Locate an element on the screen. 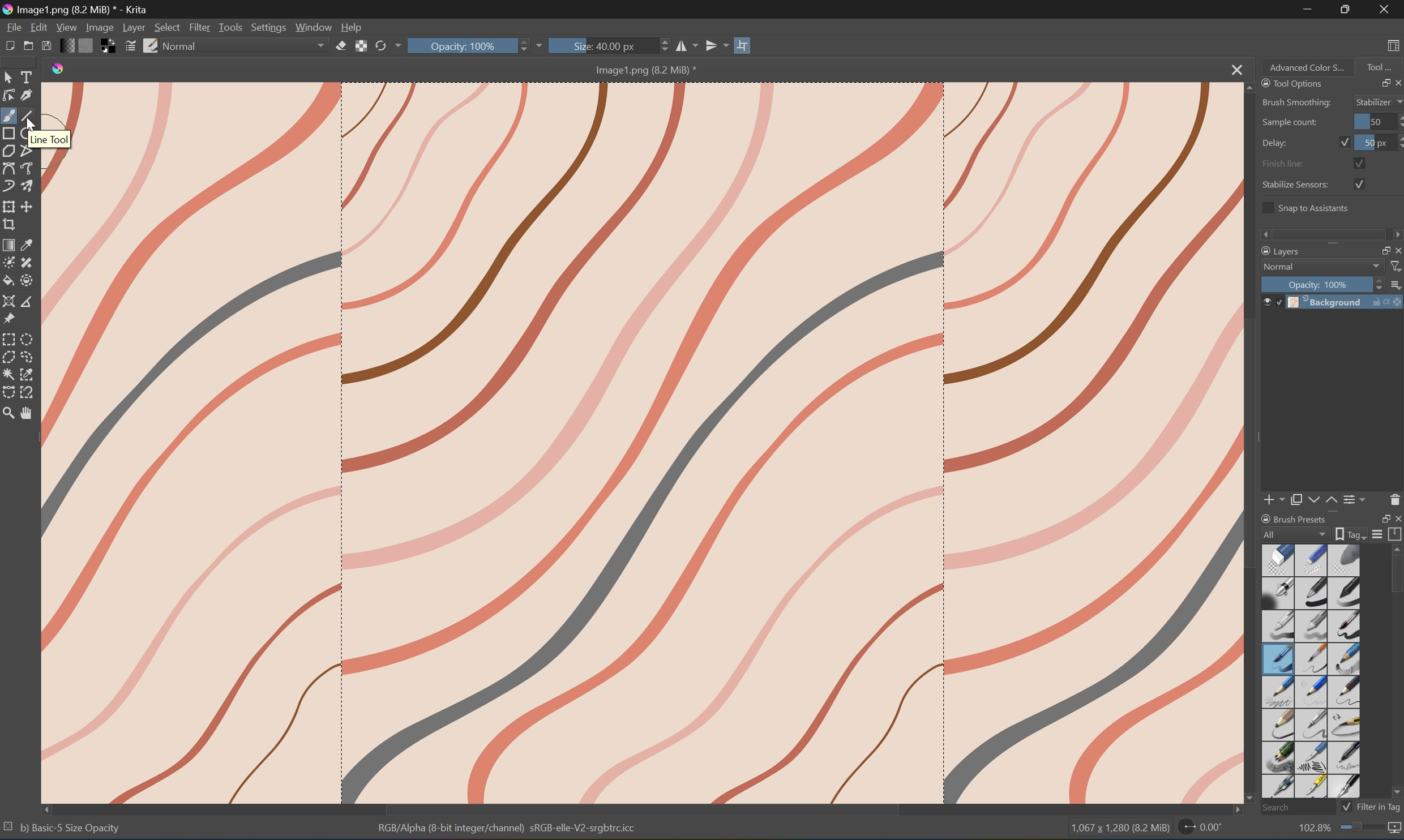 This screenshot has width=1404, height=840. View is located at coordinates (66, 27).